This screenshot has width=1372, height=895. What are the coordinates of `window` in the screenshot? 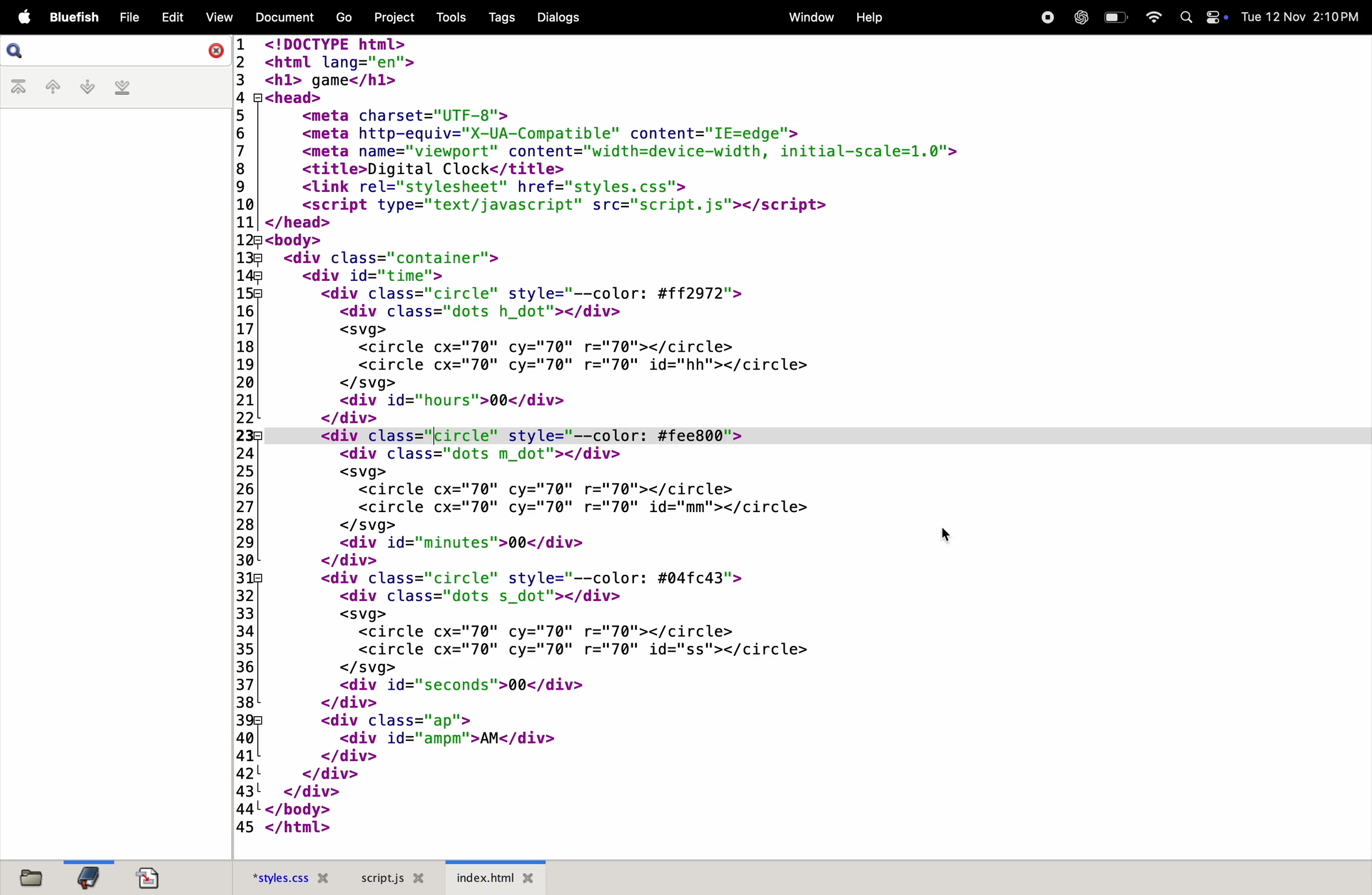 It's located at (806, 17).